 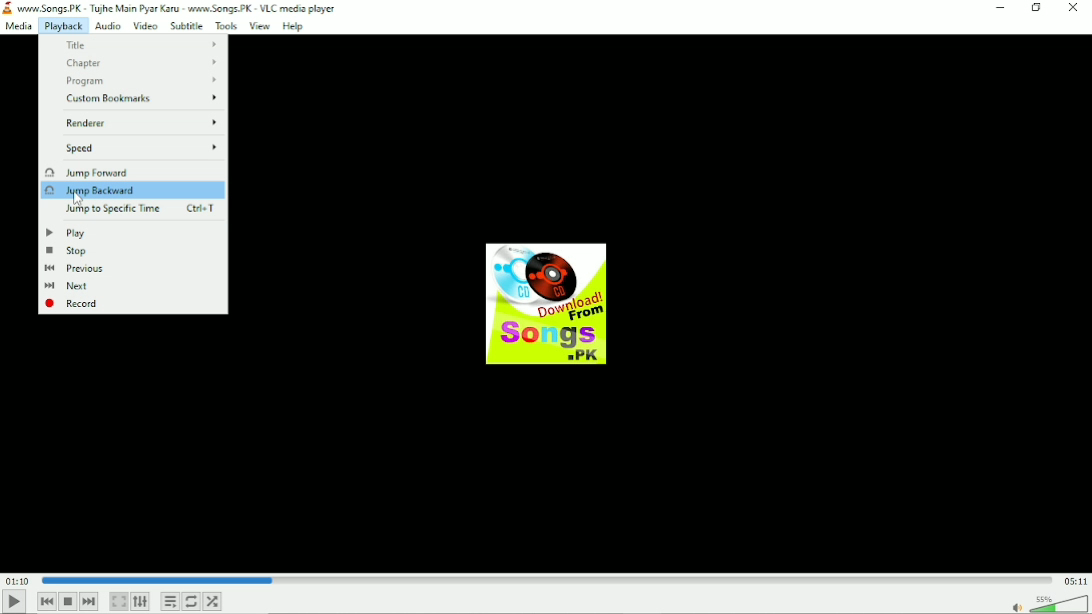 I want to click on Jump backward, so click(x=98, y=191).